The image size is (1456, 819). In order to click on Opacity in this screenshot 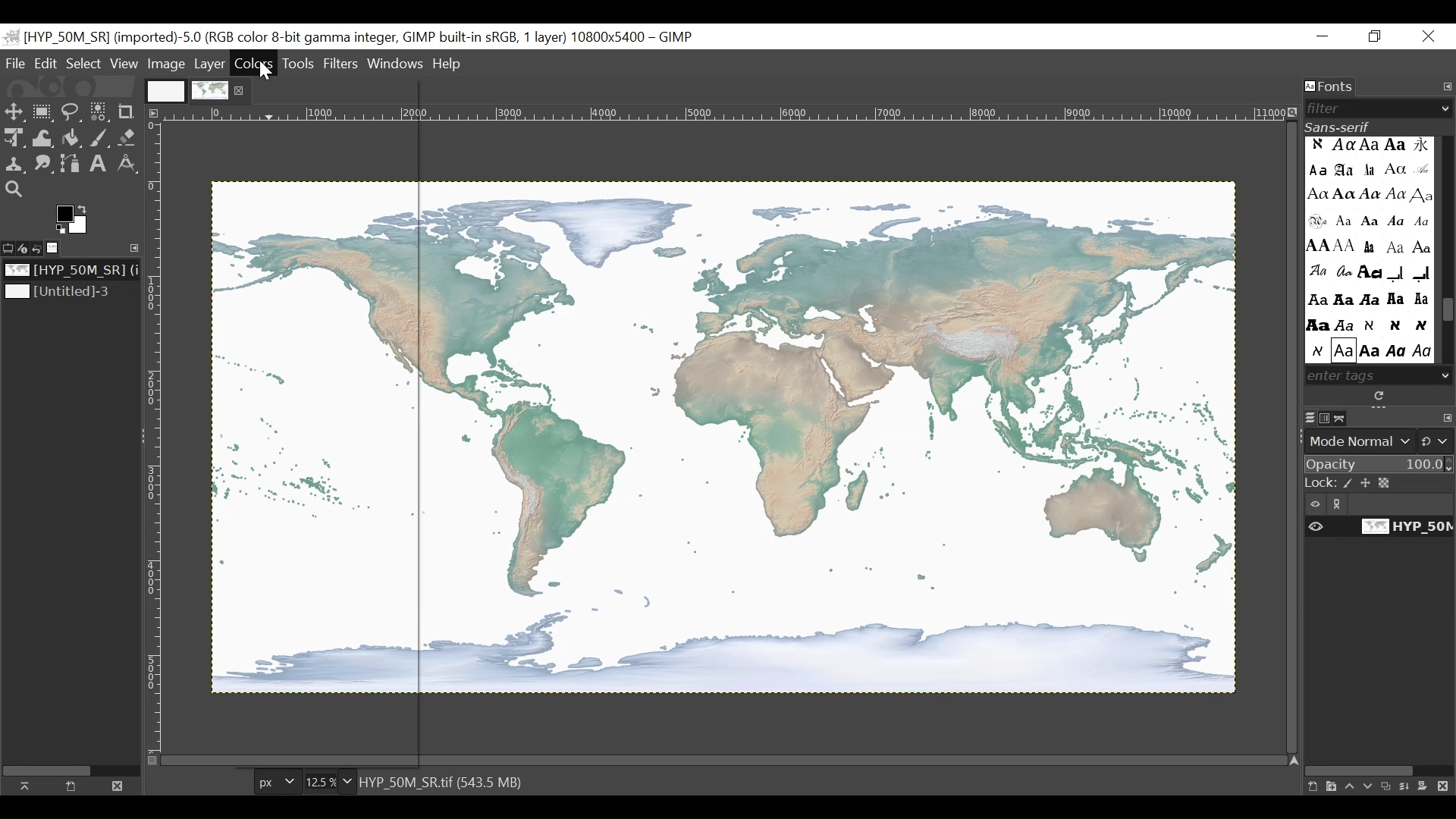, I will do `click(1379, 466)`.